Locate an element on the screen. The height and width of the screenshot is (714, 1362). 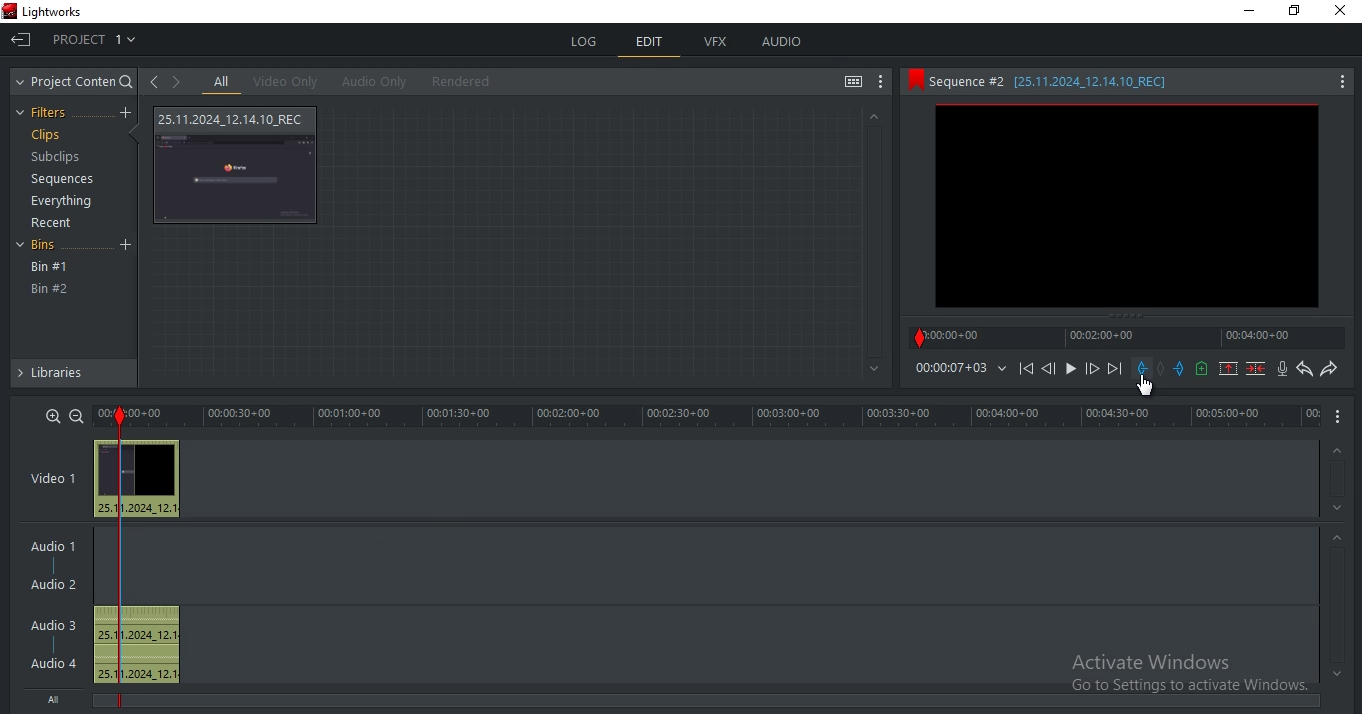
bins is located at coordinates (49, 247).